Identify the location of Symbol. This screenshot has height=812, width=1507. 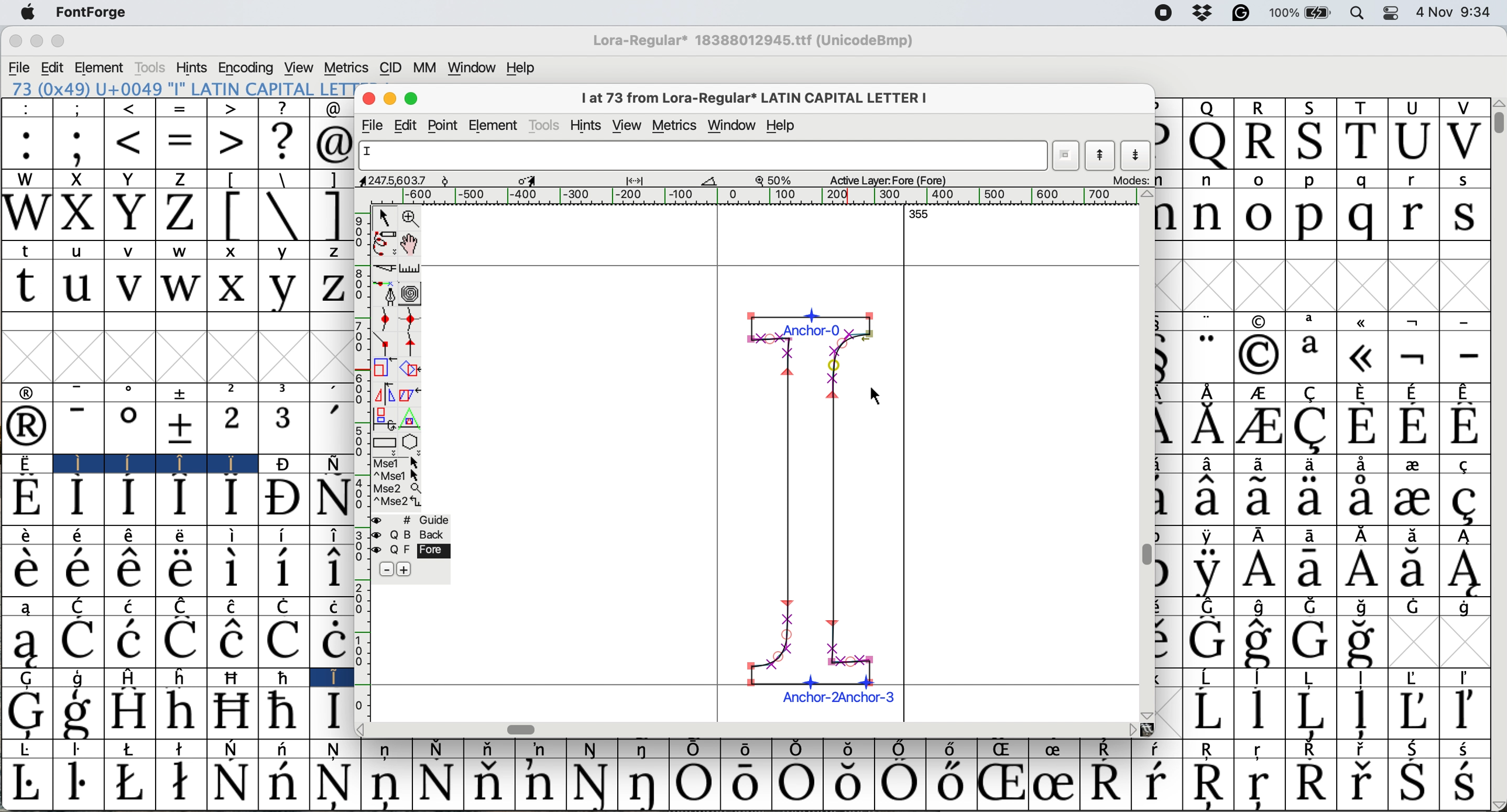
(78, 783).